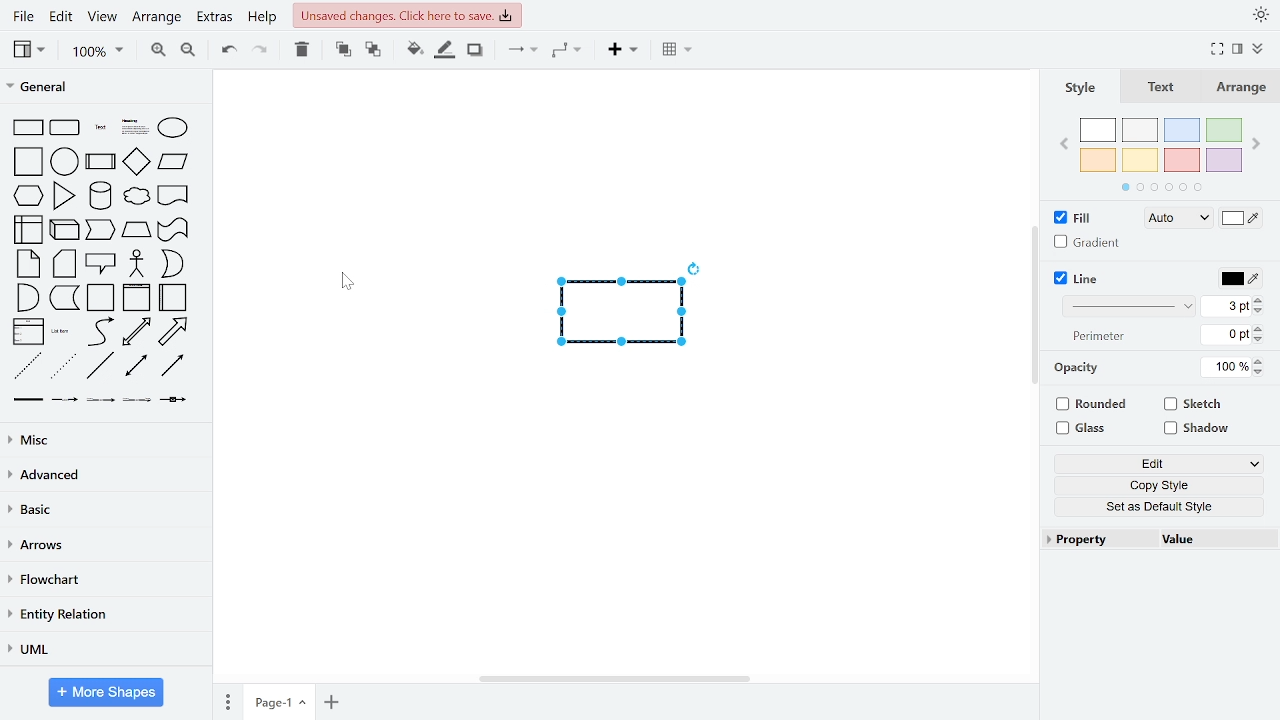 This screenshot has width=1280, height=720. What do you see at coordinates (1174, 220) in the screenshot?
I see `Fill style` at bounding box center [1174, 220].